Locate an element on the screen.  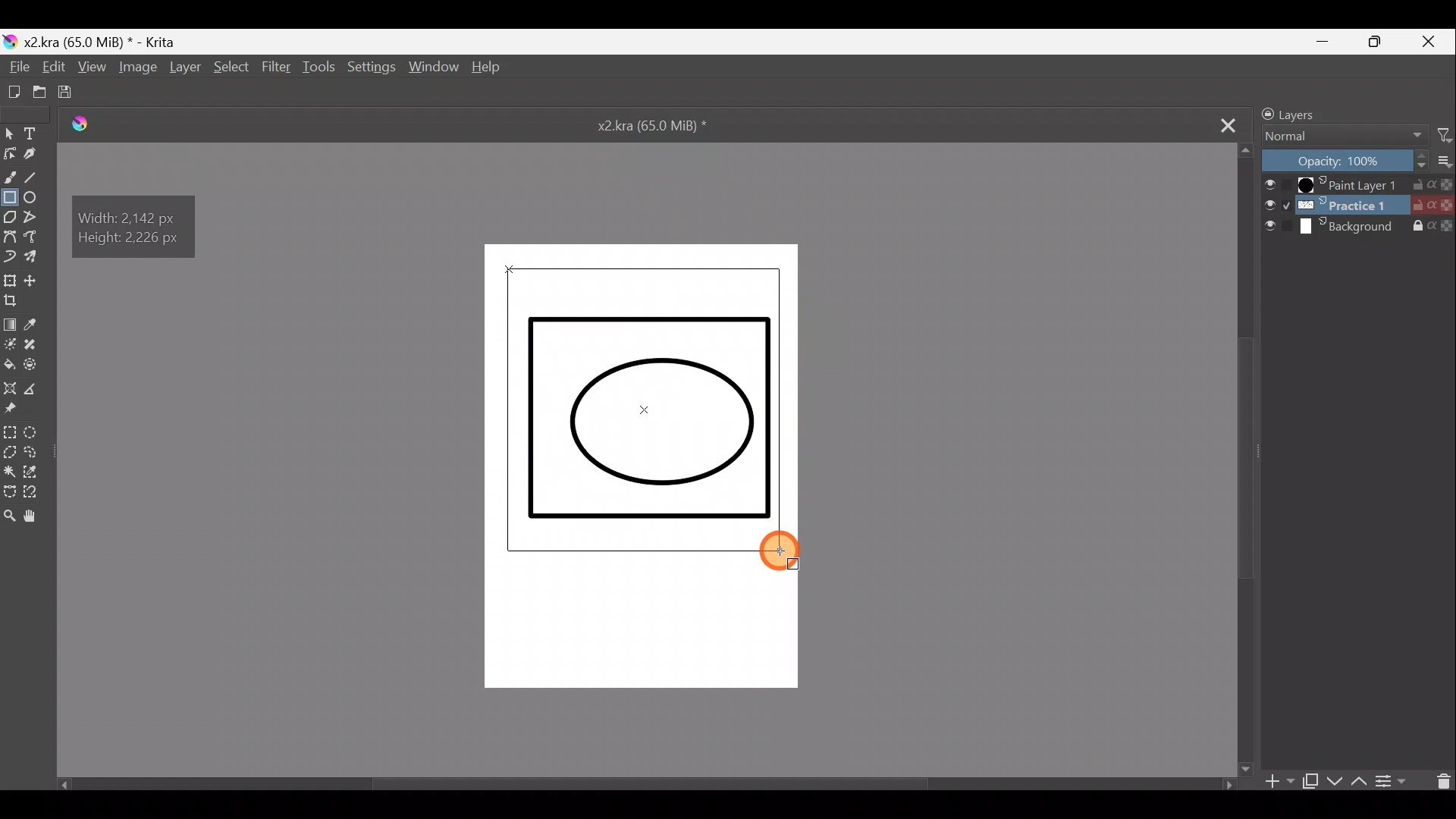
Elliptical selection tool is located at coordinates (39, 434).